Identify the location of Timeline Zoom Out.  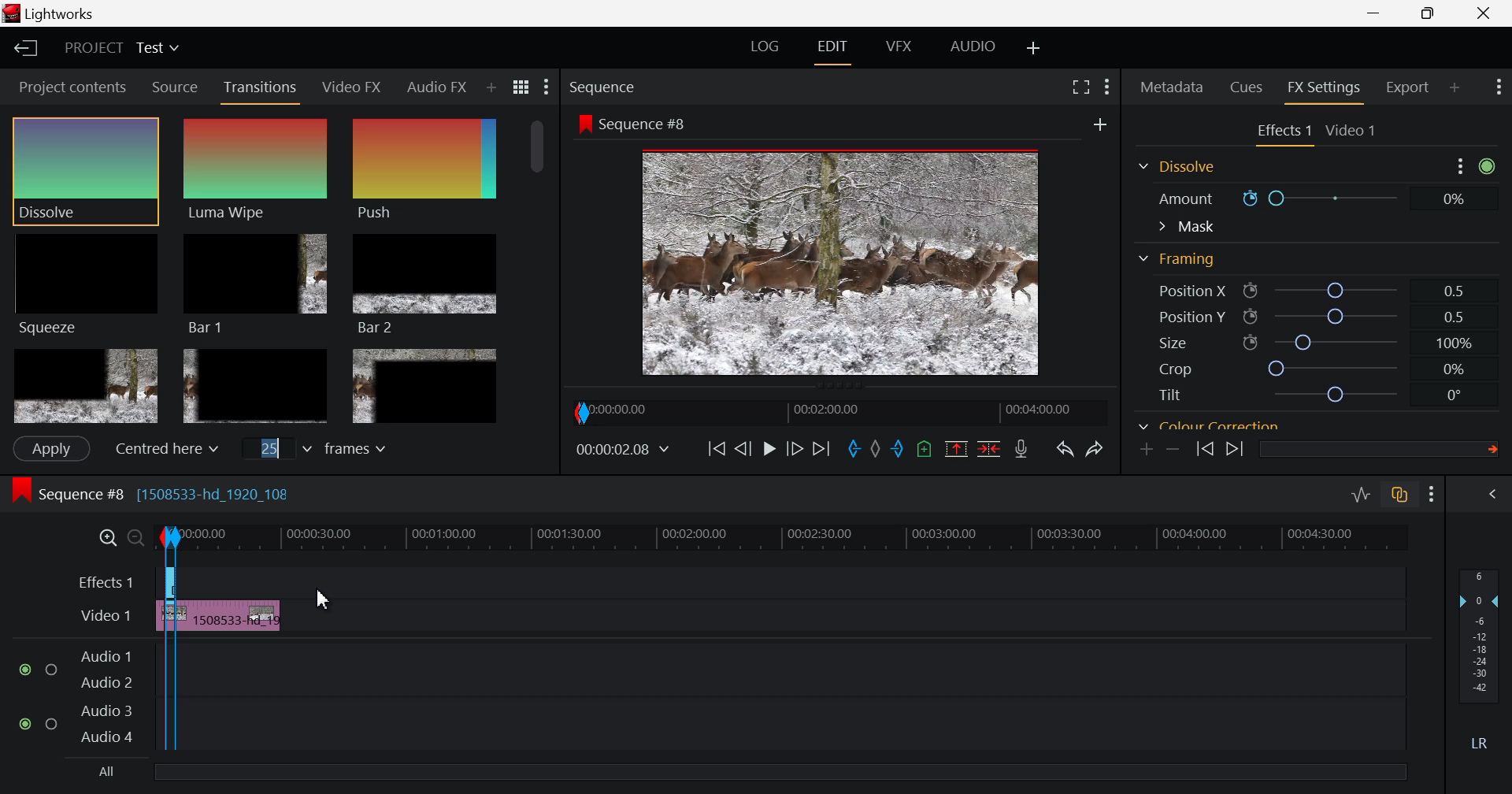
(132, 540).